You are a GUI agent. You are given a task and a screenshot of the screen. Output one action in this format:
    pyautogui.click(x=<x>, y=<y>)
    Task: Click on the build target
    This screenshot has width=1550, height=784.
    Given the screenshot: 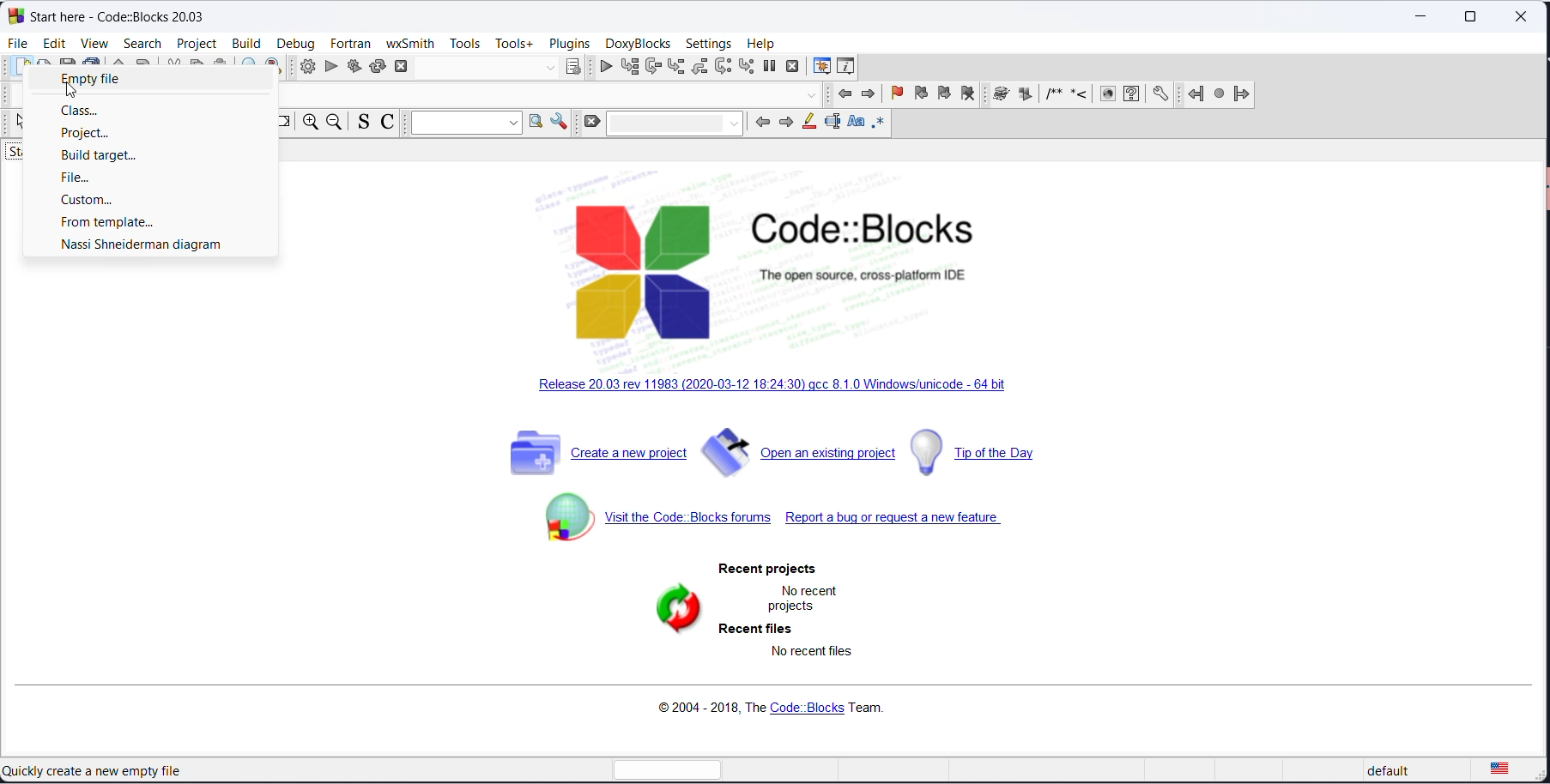 What is the action you would take?
    pyautogui.click(x=143, y=157)
    